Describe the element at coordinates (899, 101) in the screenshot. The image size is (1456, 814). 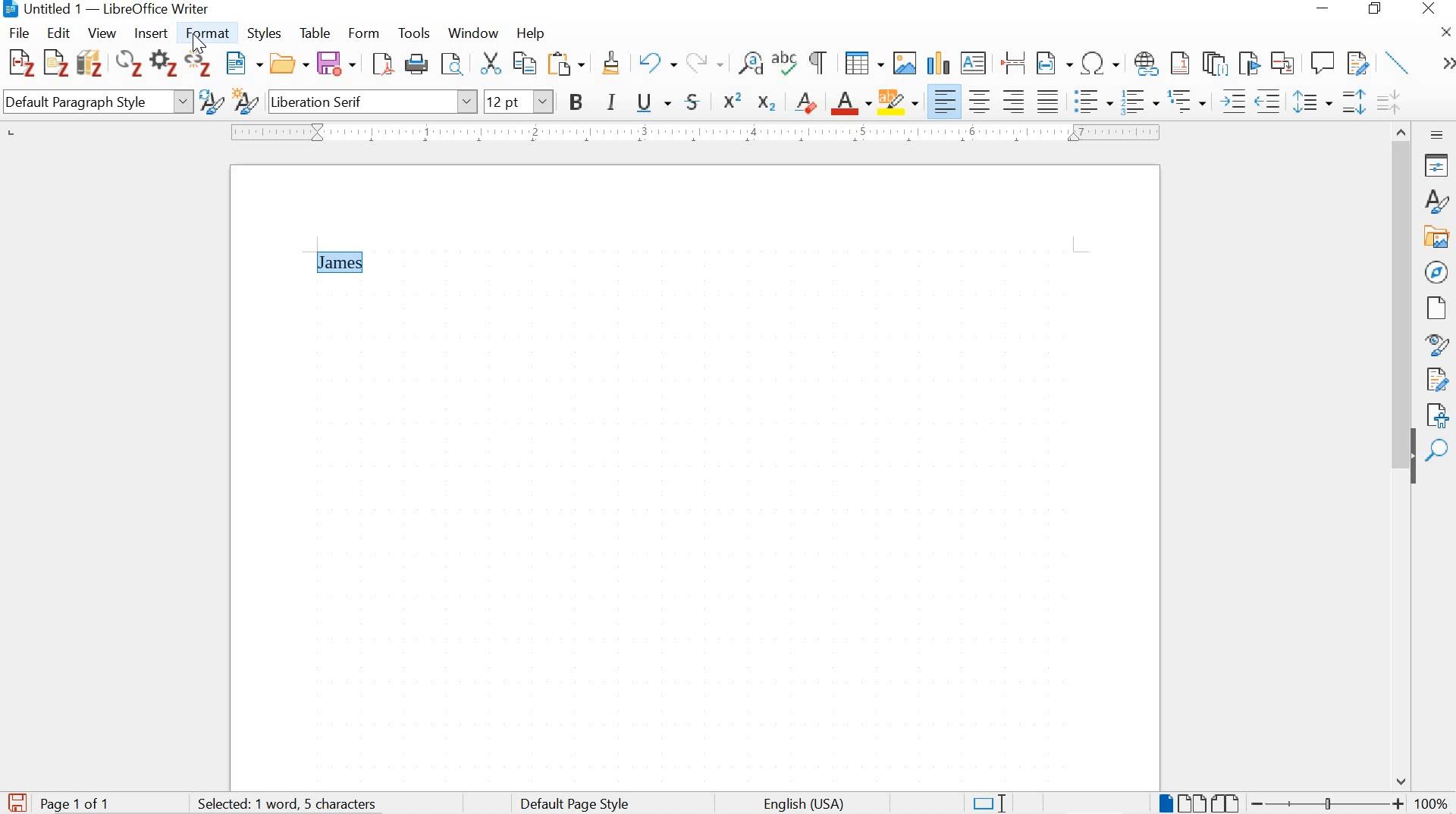
I see `character highlighting color` at that location.